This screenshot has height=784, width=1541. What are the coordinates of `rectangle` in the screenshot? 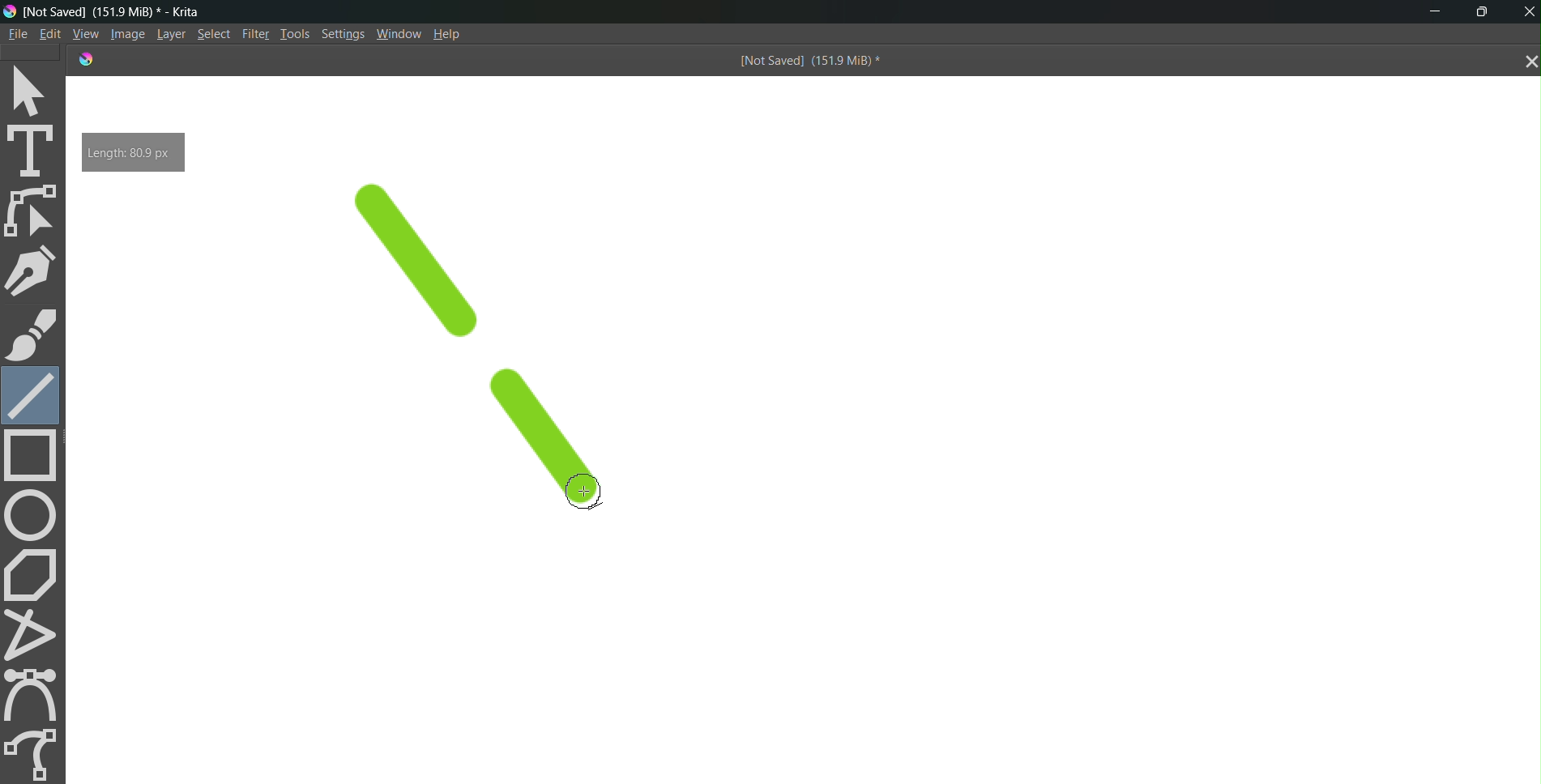 It's located at (36, 457).